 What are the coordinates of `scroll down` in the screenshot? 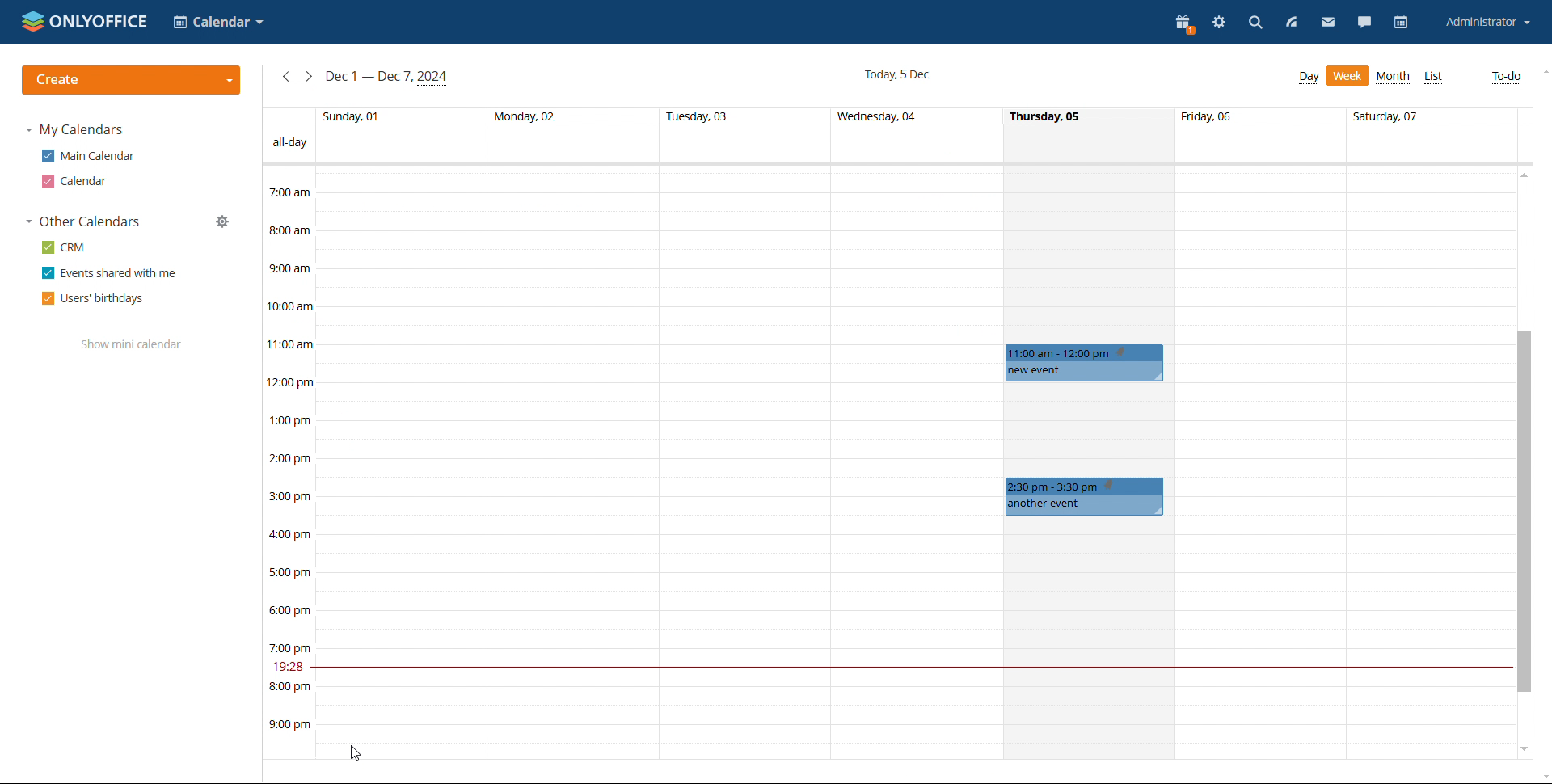 It's located at (1542, 776).